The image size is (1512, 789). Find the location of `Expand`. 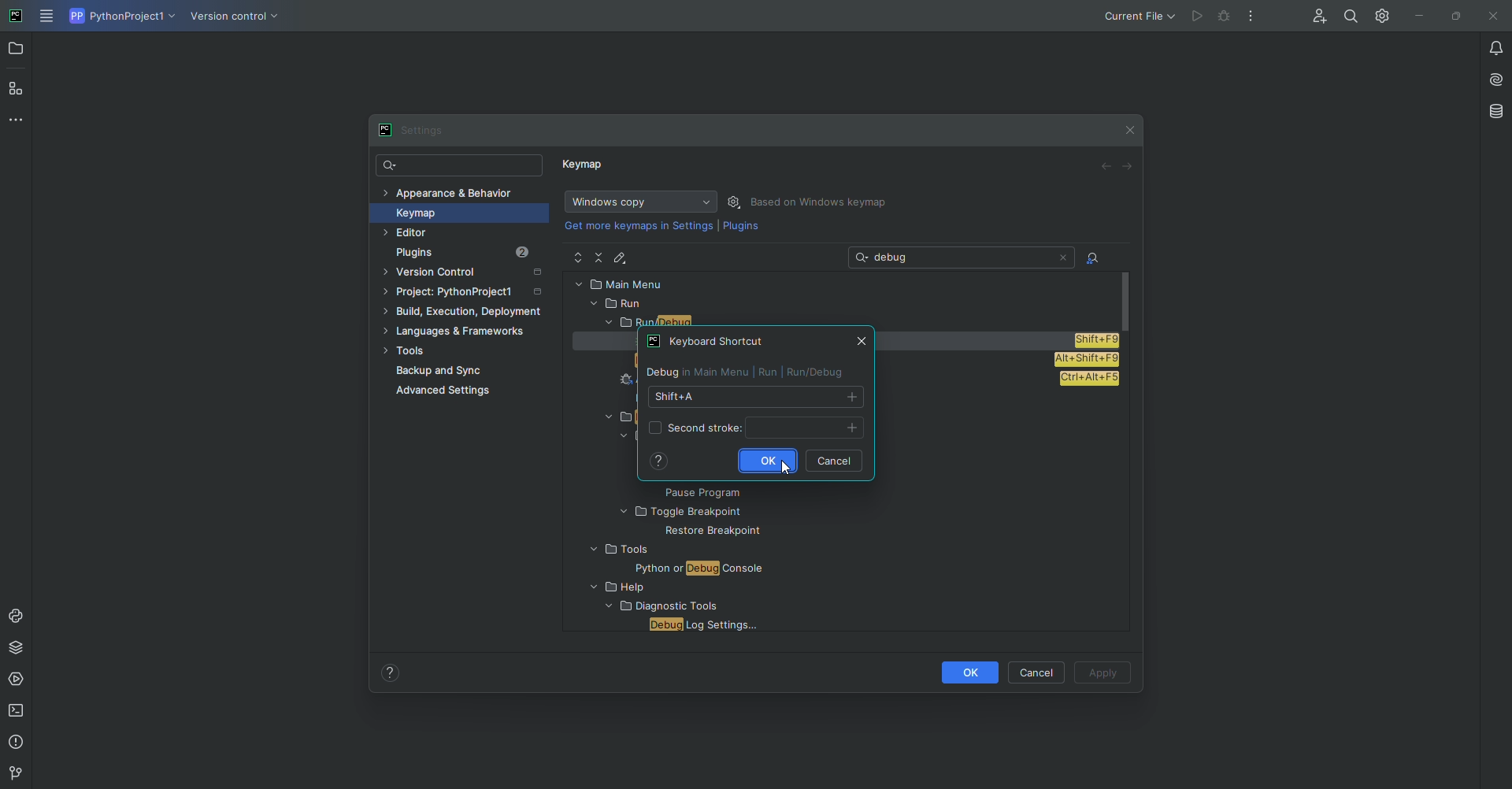

Expand is located at coordinates (578, 258).